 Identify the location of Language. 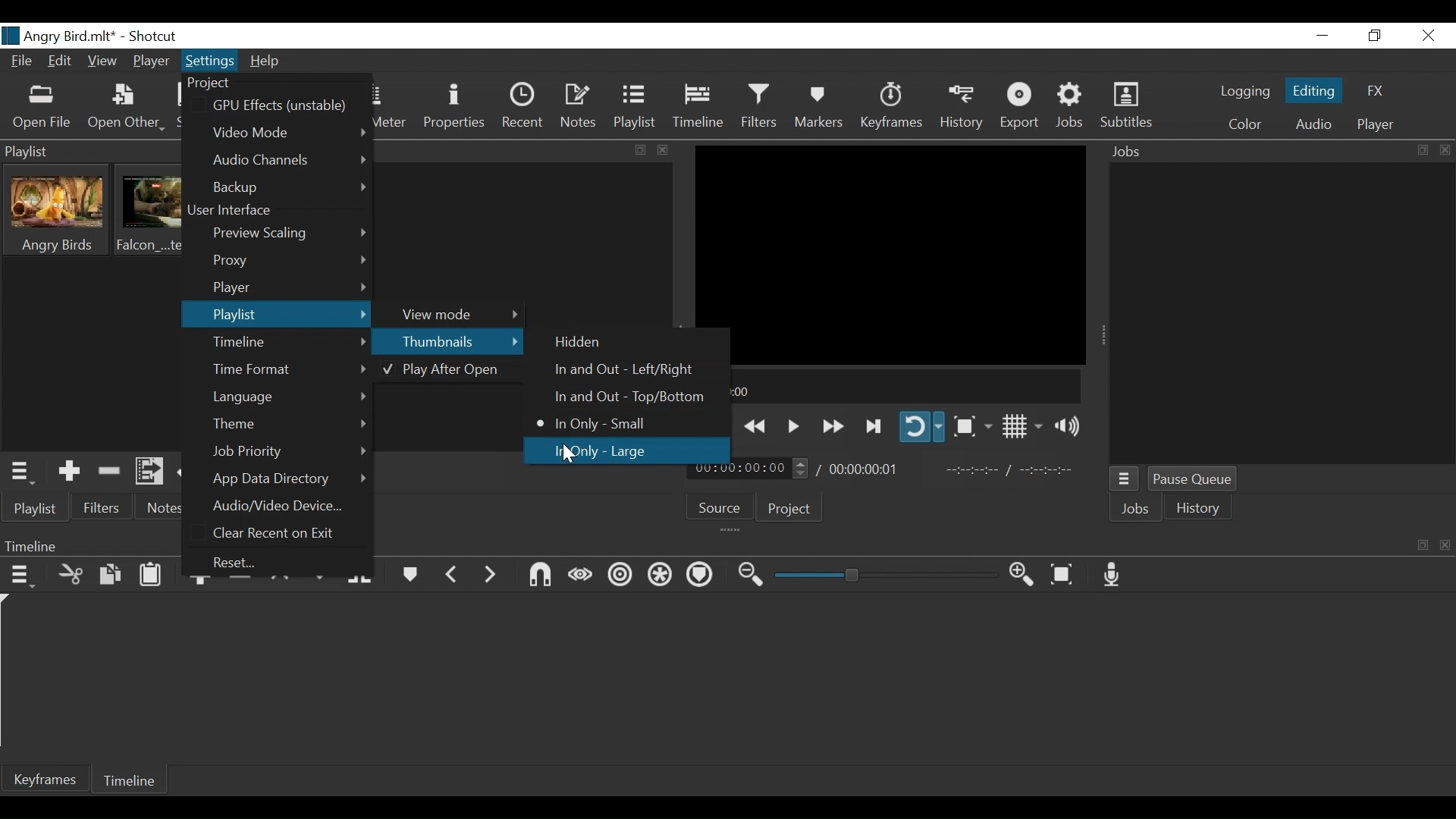
(290, 397).